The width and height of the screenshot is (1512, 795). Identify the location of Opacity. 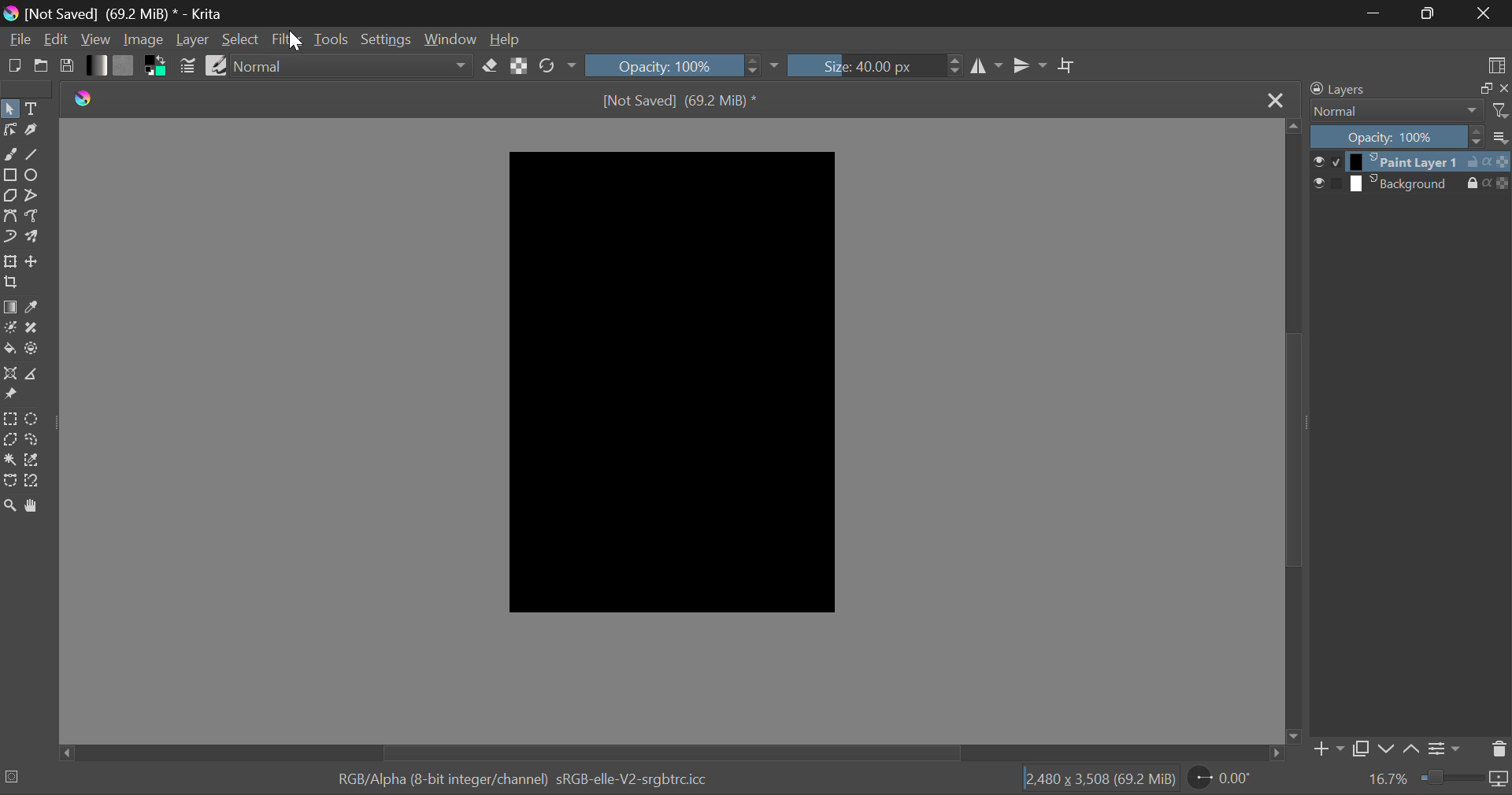
(682, 64).